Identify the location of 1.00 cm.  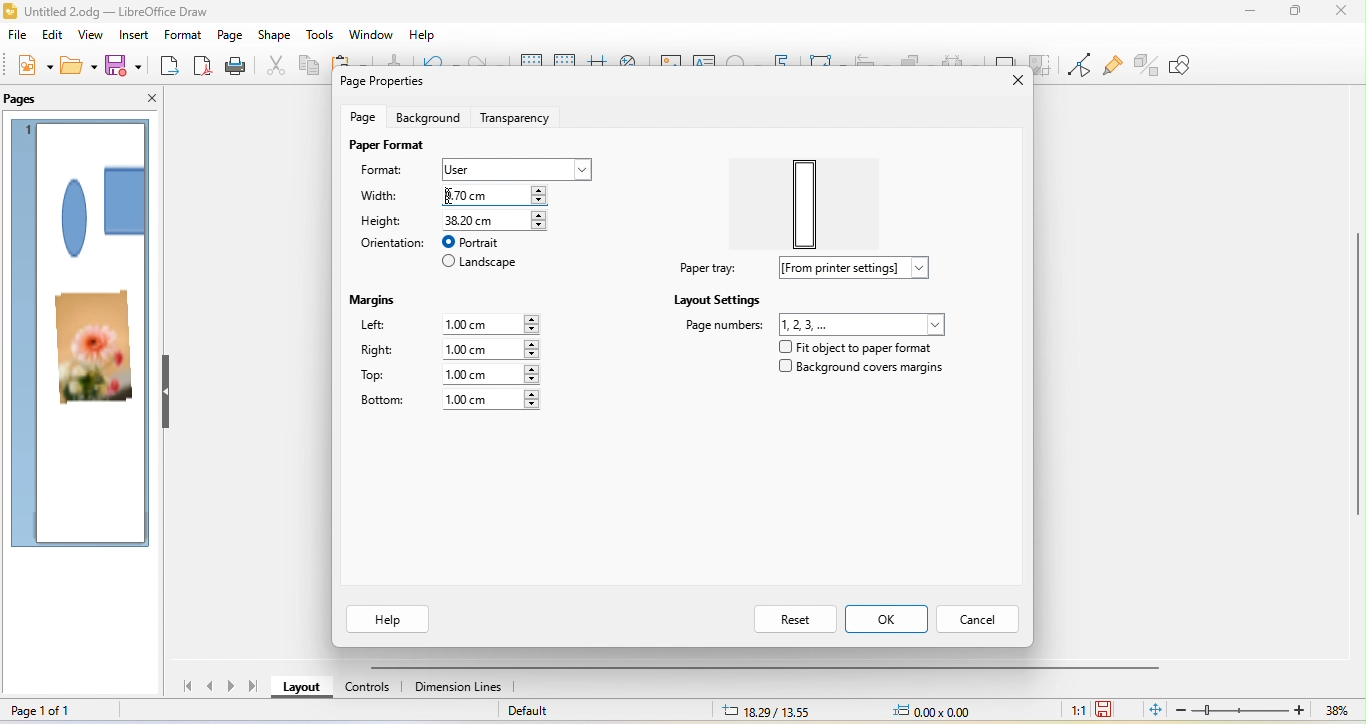
(496, 402).